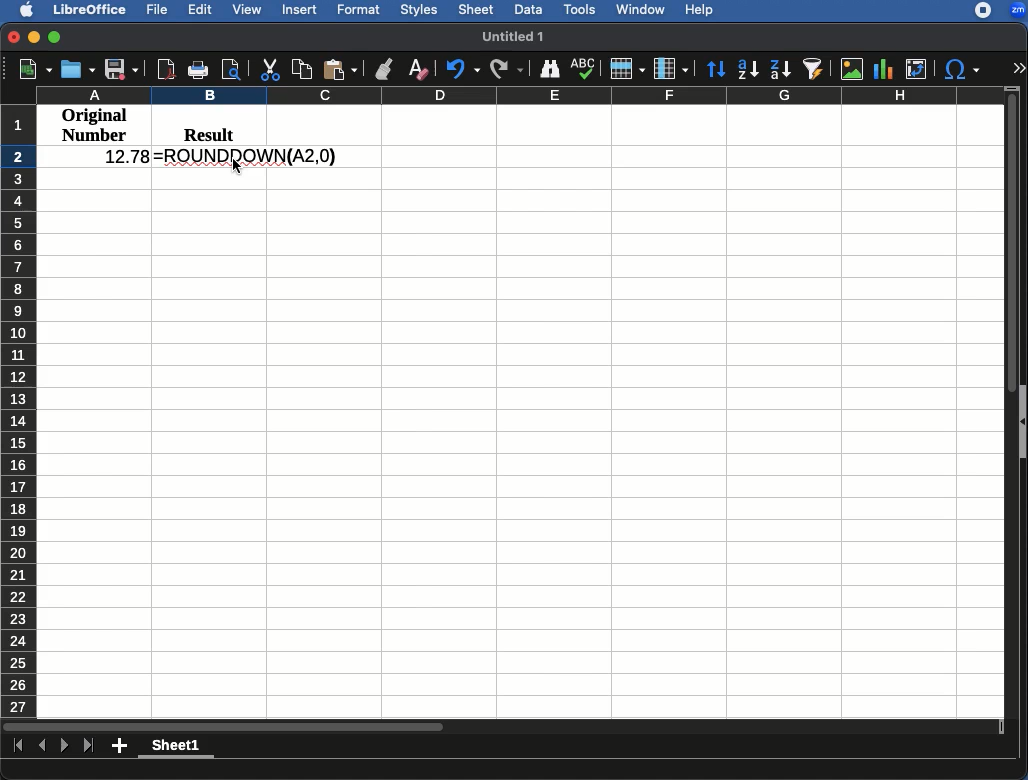  What do you see at coordinates (160, 9) in the screenshot?
I see `File` at bounding box center [160, 9].